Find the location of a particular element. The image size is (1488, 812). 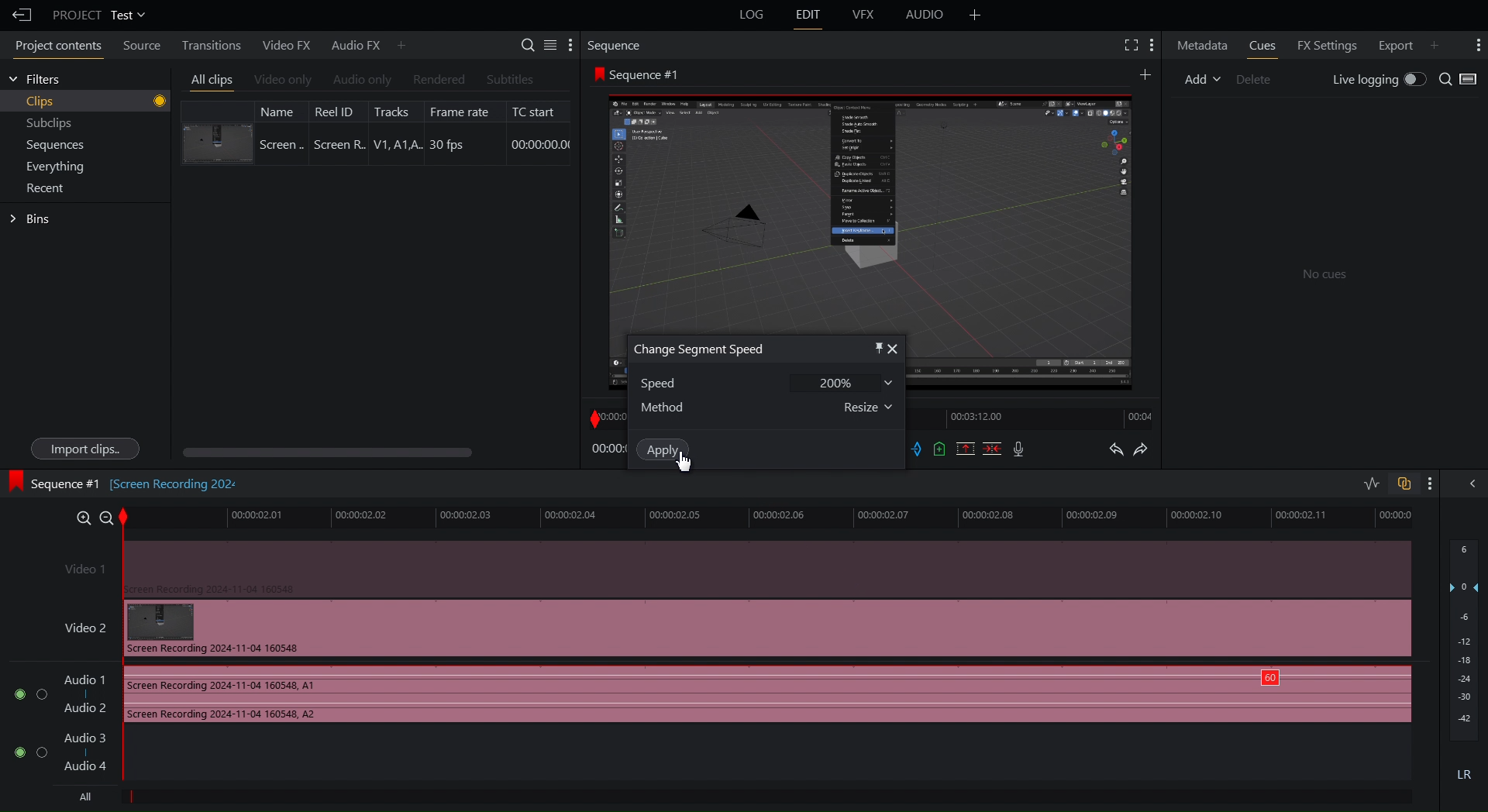

Redo is located at coordinates (1149, 451).